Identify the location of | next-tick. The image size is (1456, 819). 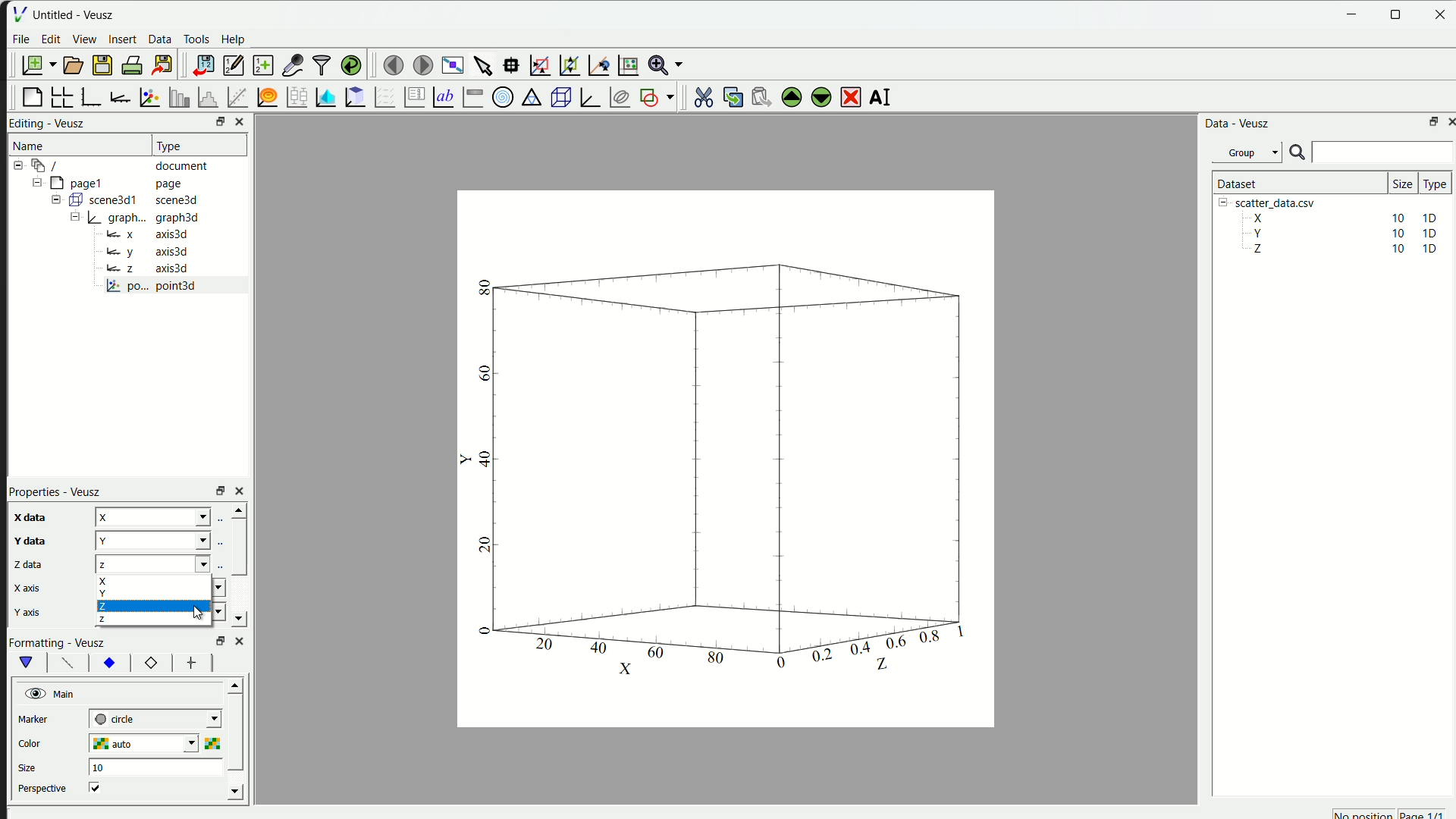
(162, 720).